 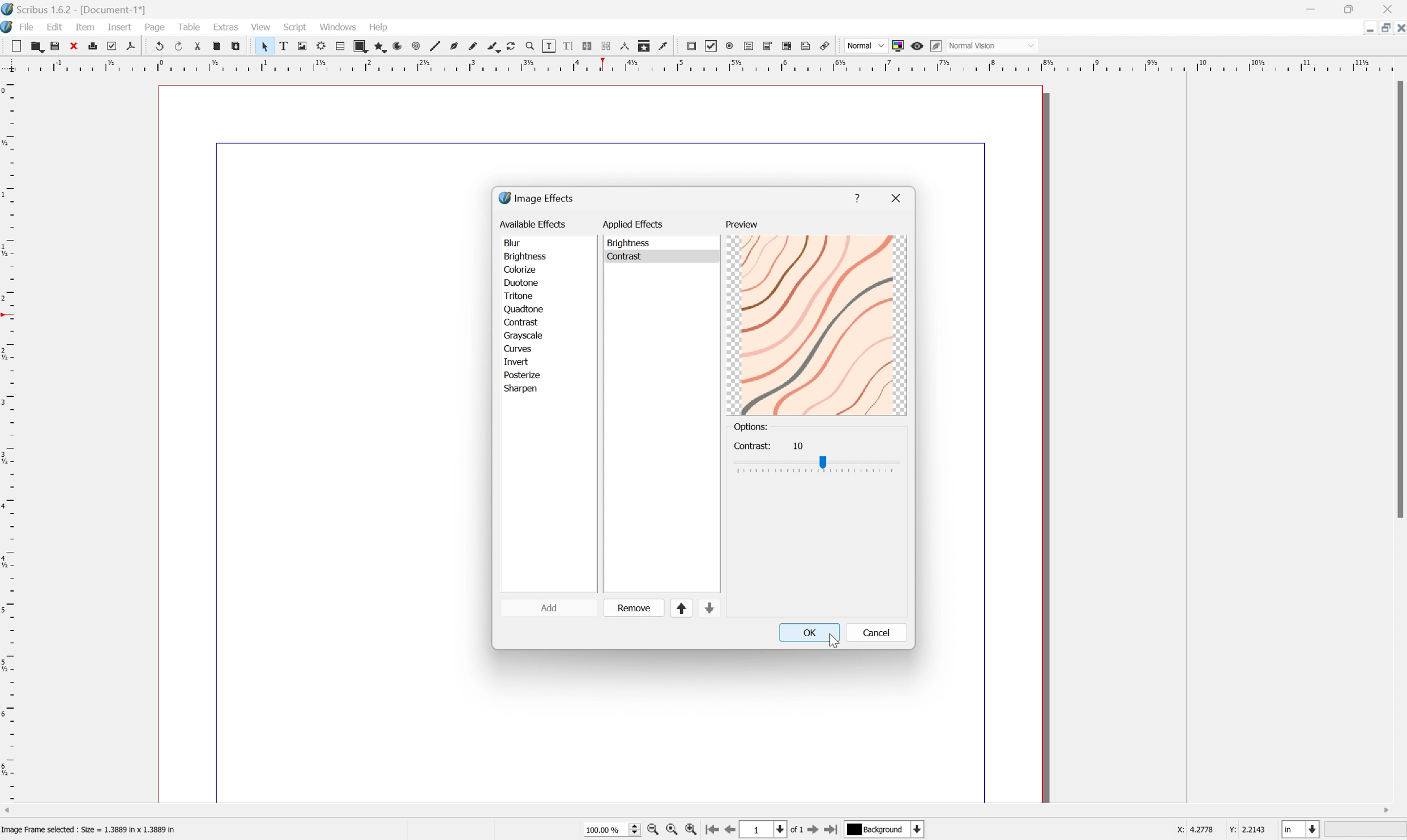 I want to click on contrast, so click(x=525, y=320).